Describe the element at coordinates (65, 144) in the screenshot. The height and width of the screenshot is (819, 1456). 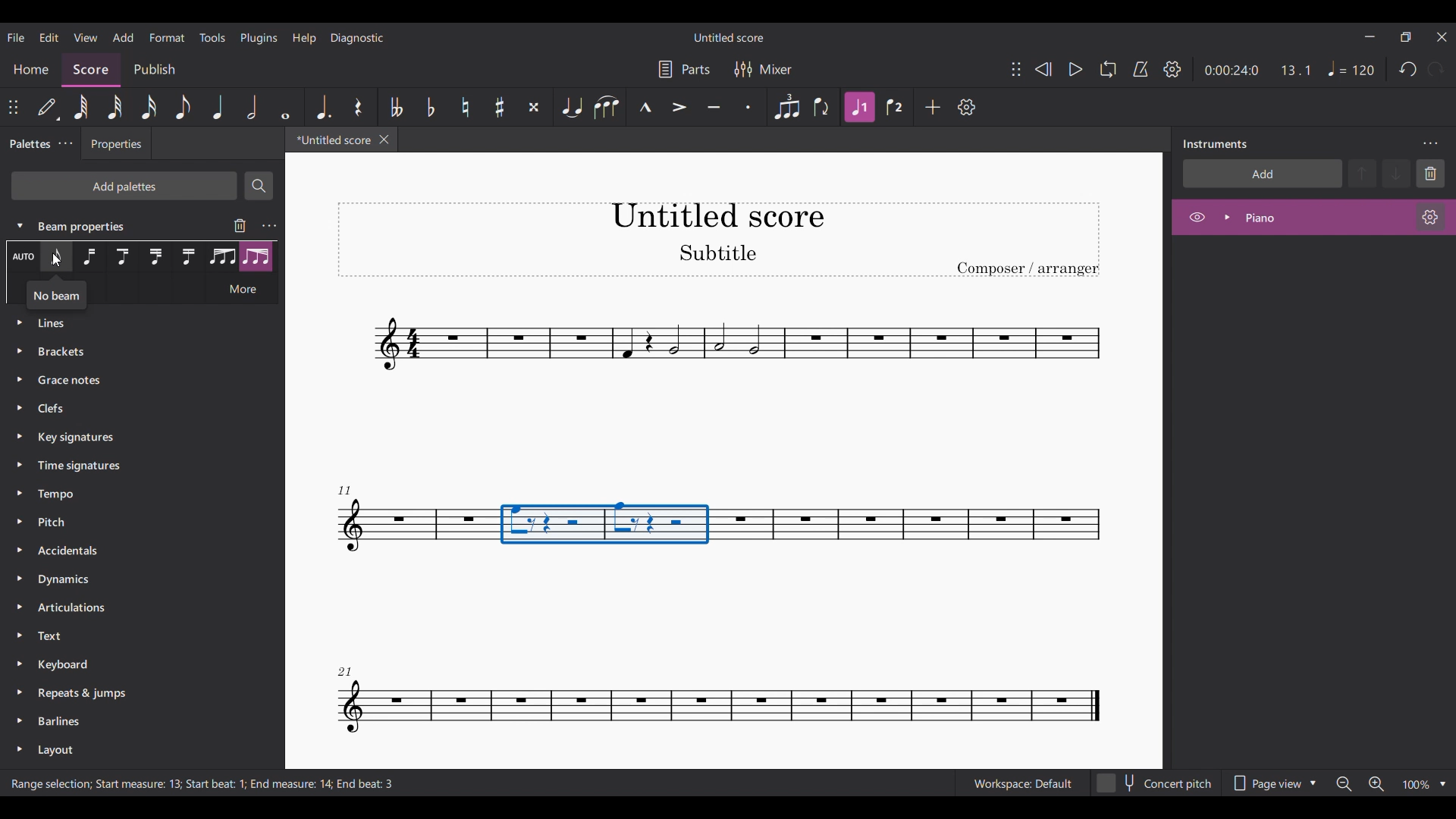
I see `More settings` at that location.